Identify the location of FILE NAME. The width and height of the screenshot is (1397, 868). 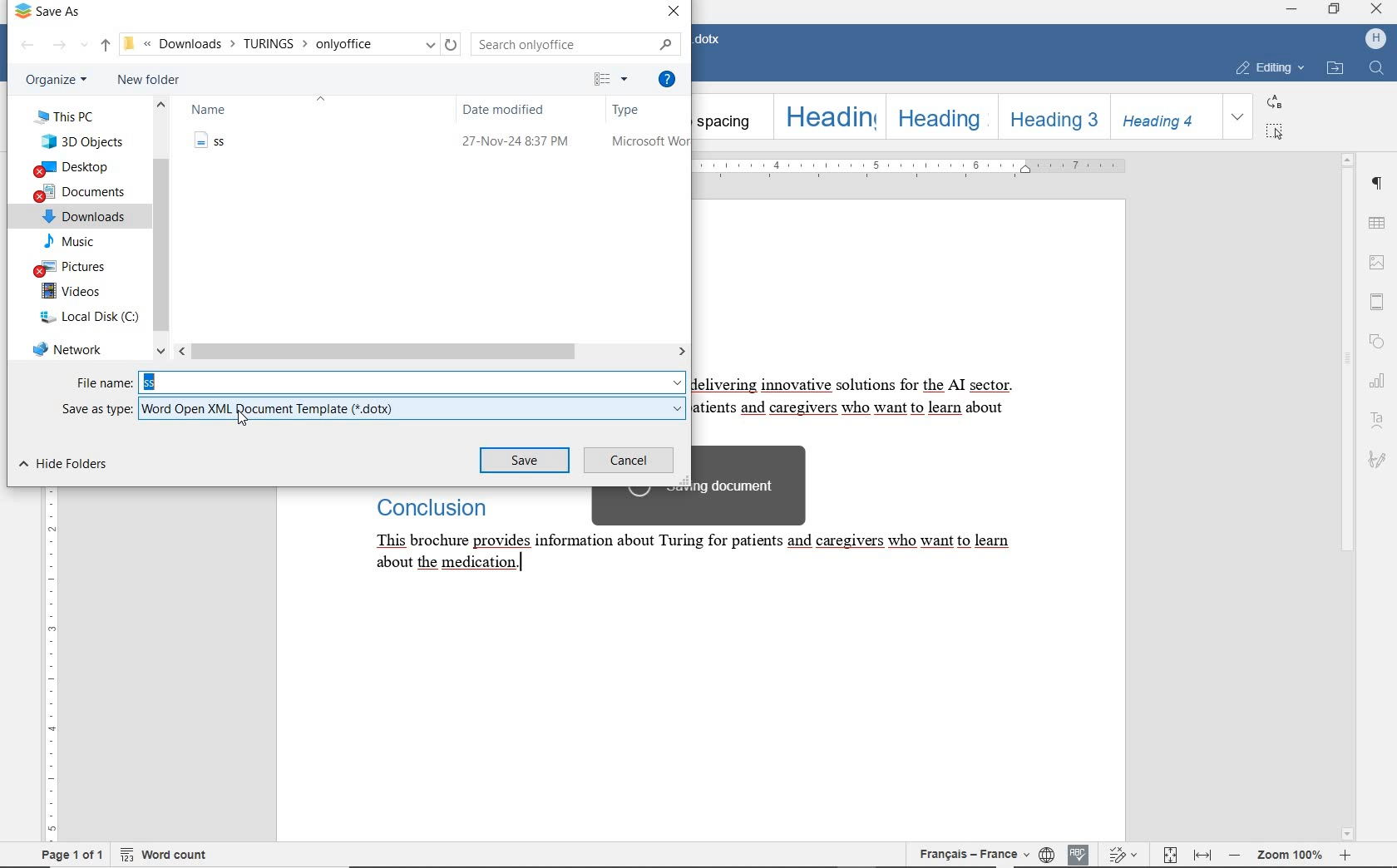
(102, 383).